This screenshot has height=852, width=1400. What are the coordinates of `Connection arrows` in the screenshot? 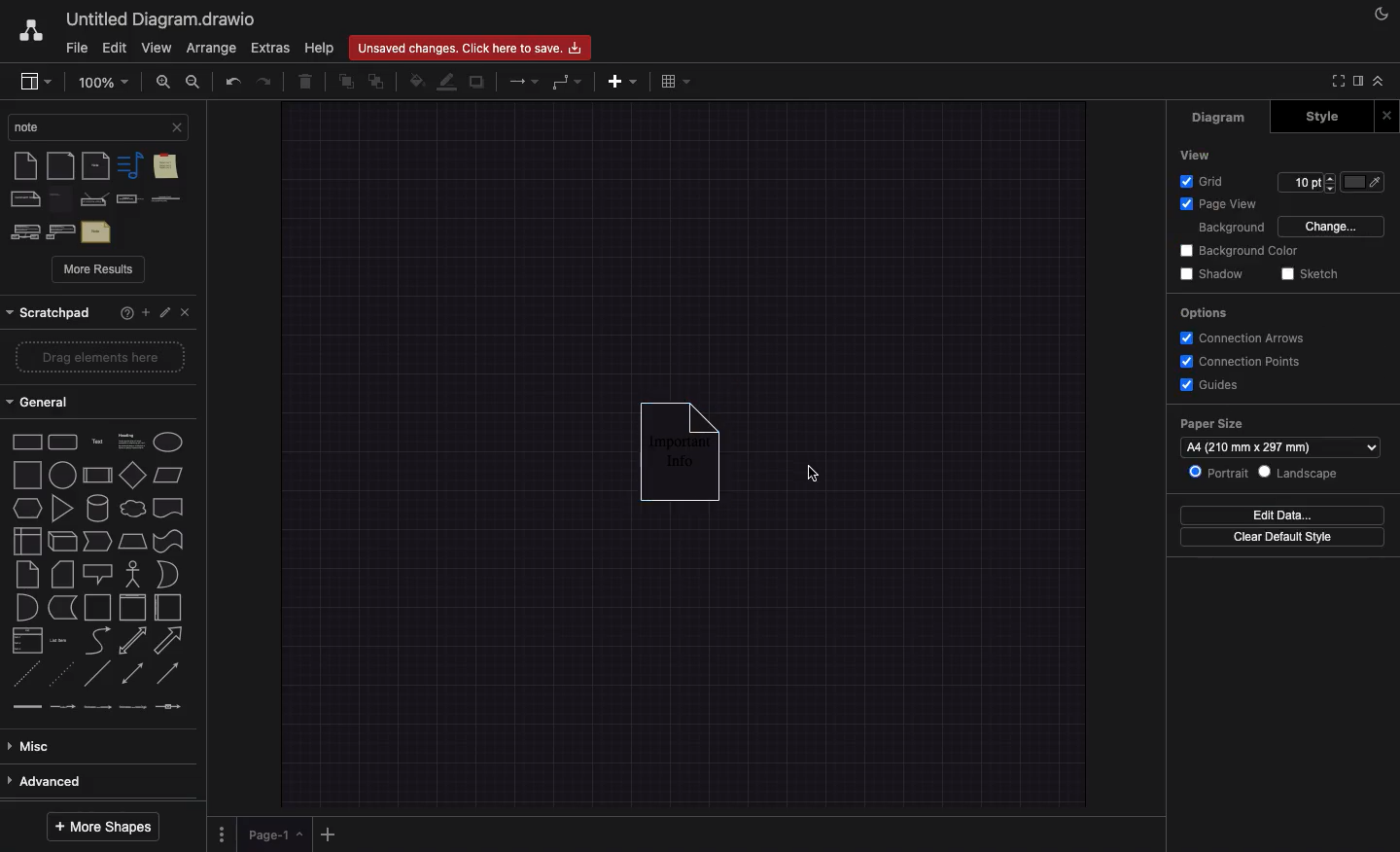 It's located at (1242, 337).